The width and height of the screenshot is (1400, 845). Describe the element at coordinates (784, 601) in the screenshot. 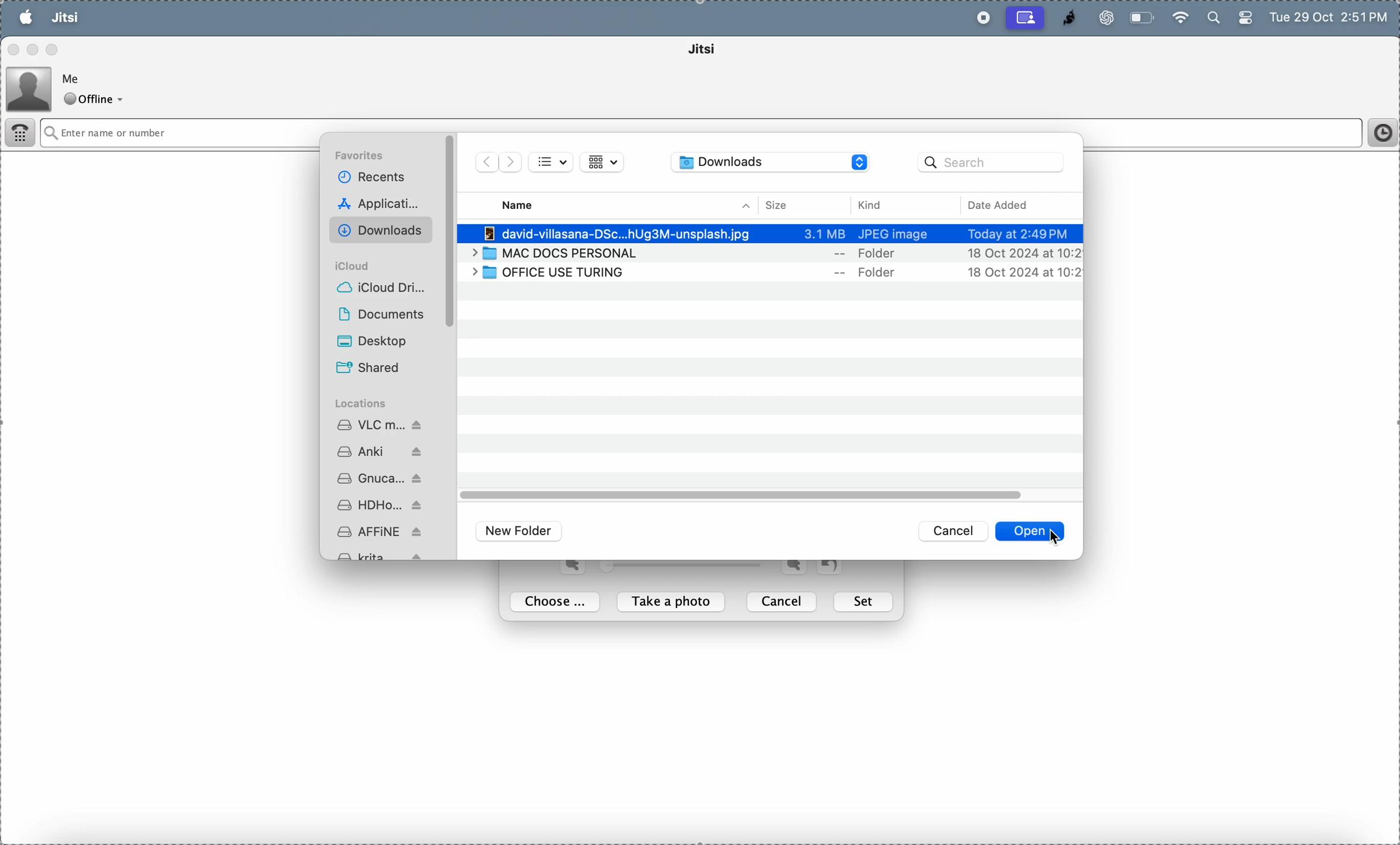

I see `cancel` at that location.